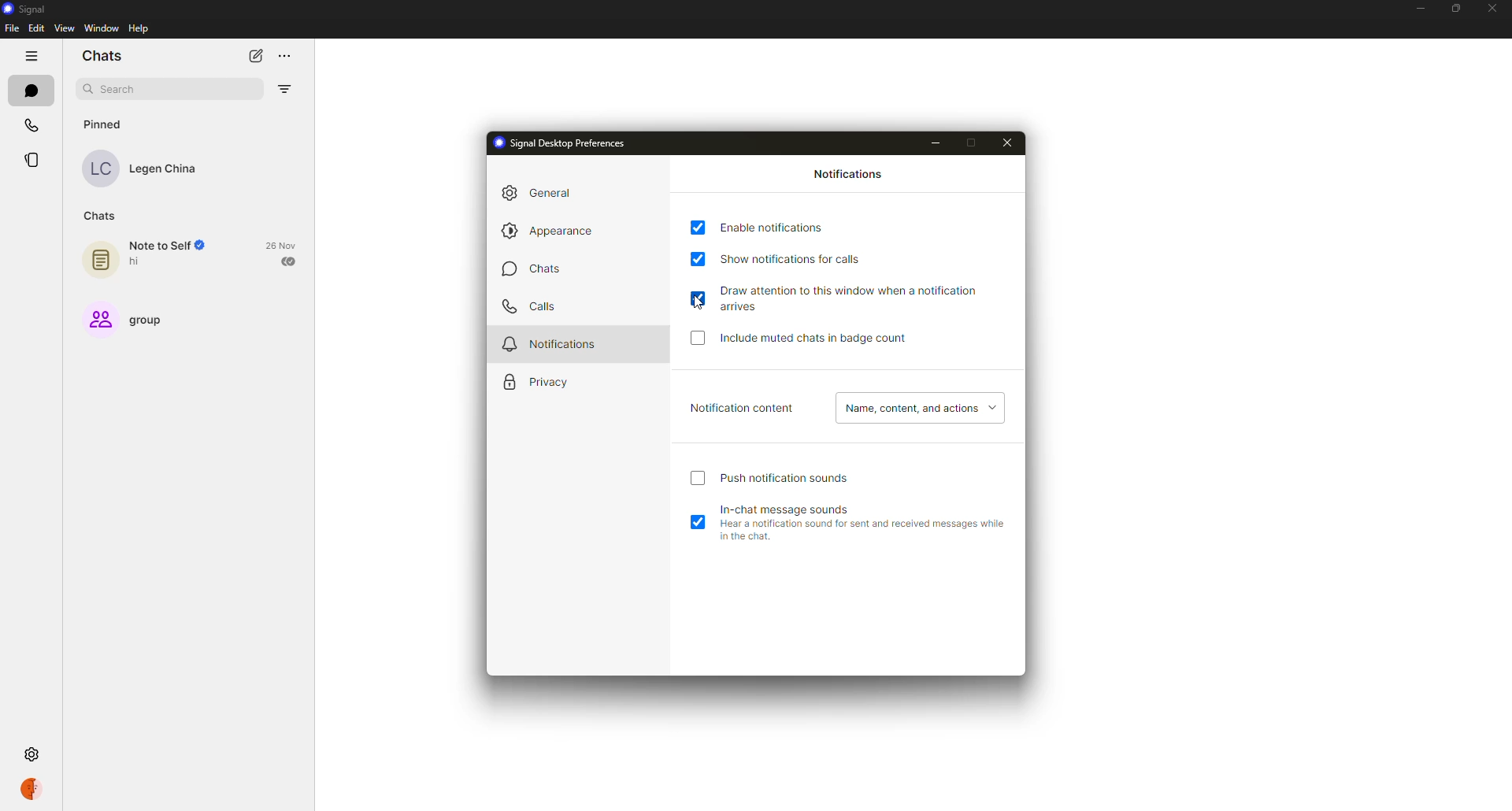 The image size is (1512, 811). I want to click on settings, so click(30, 753).